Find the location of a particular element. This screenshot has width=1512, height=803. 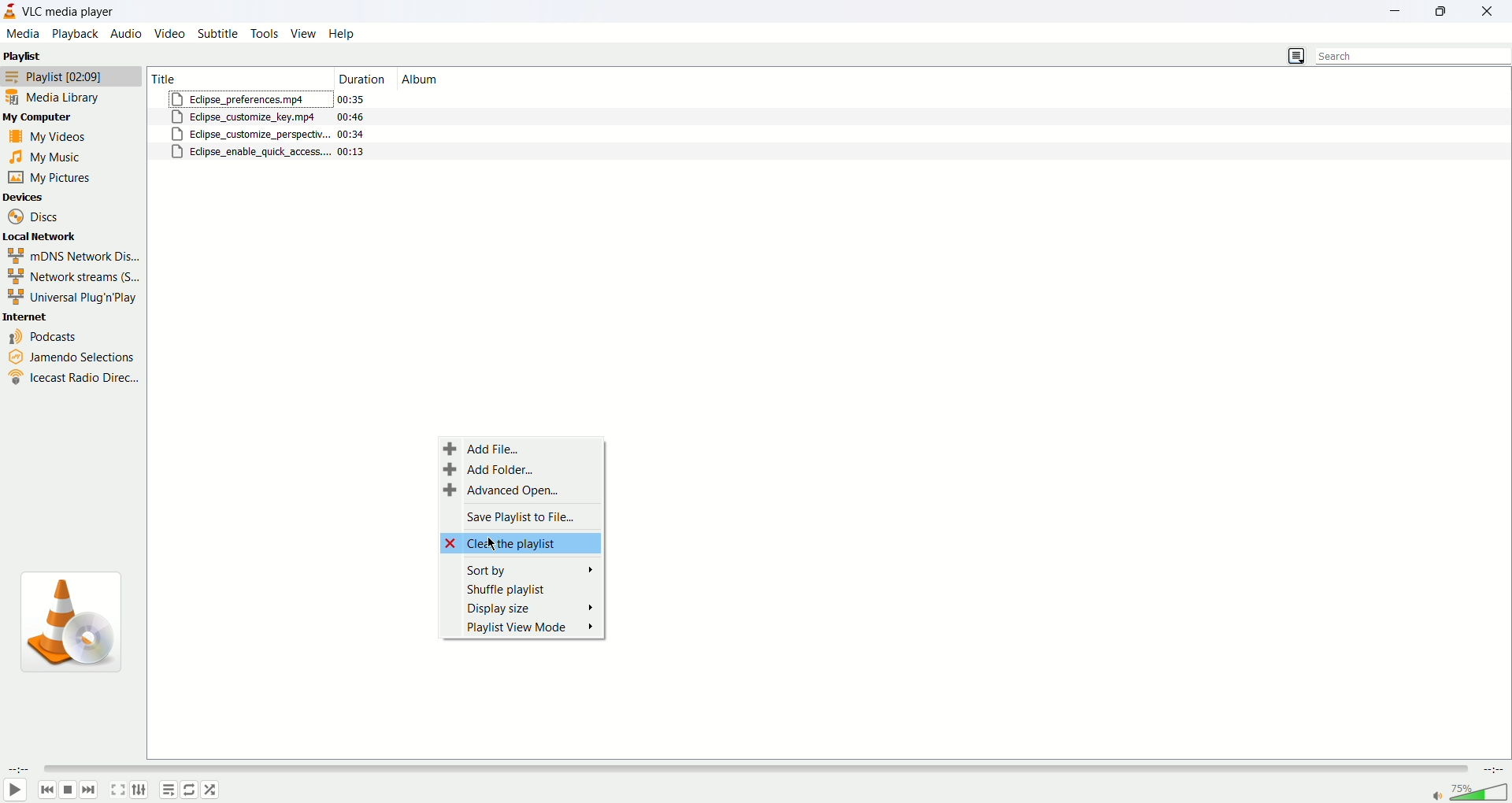

universal Plug n Play is located at coordinates (74, 296).